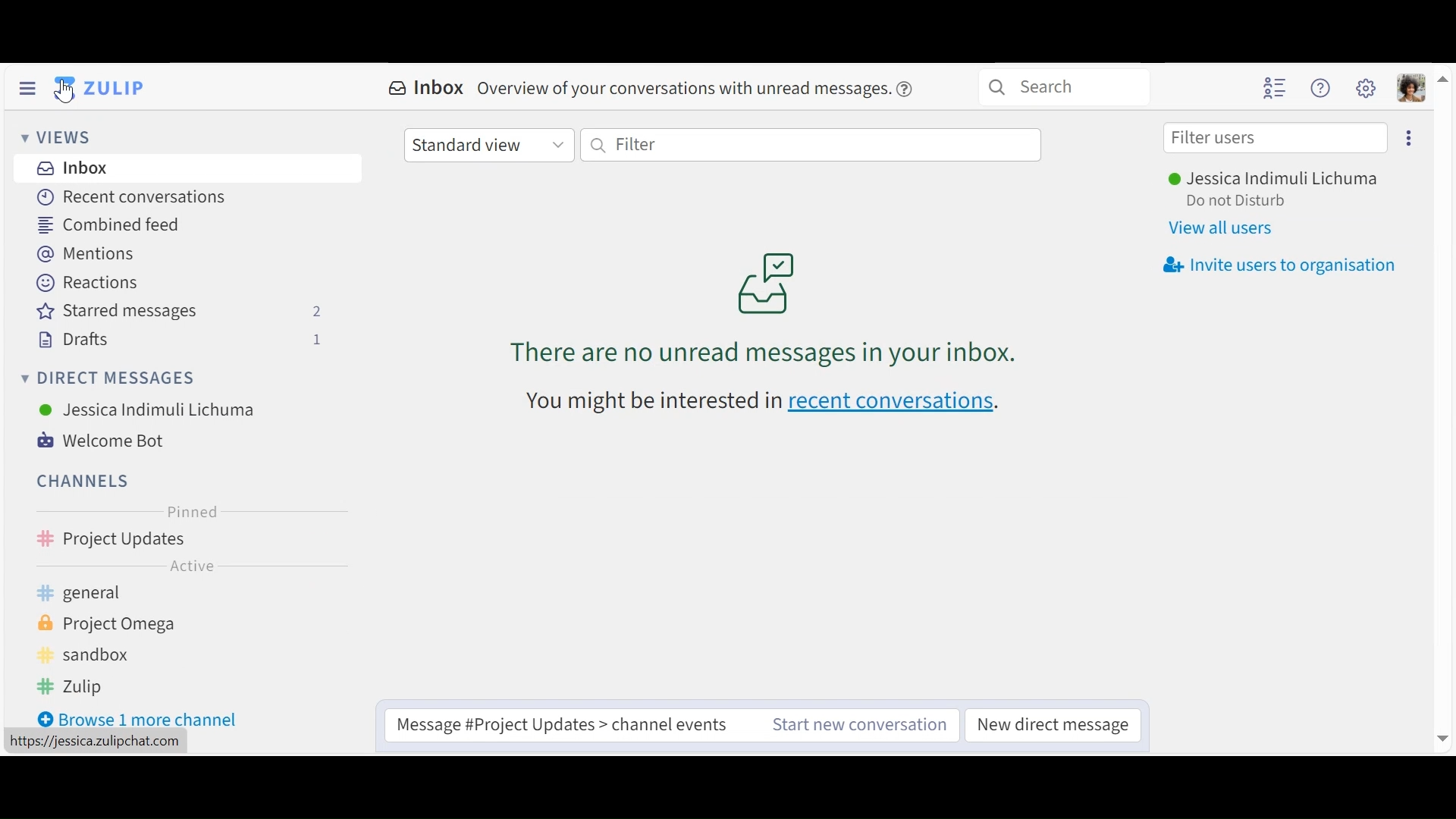  I want to click on You might be interested in, so click(645, 400).